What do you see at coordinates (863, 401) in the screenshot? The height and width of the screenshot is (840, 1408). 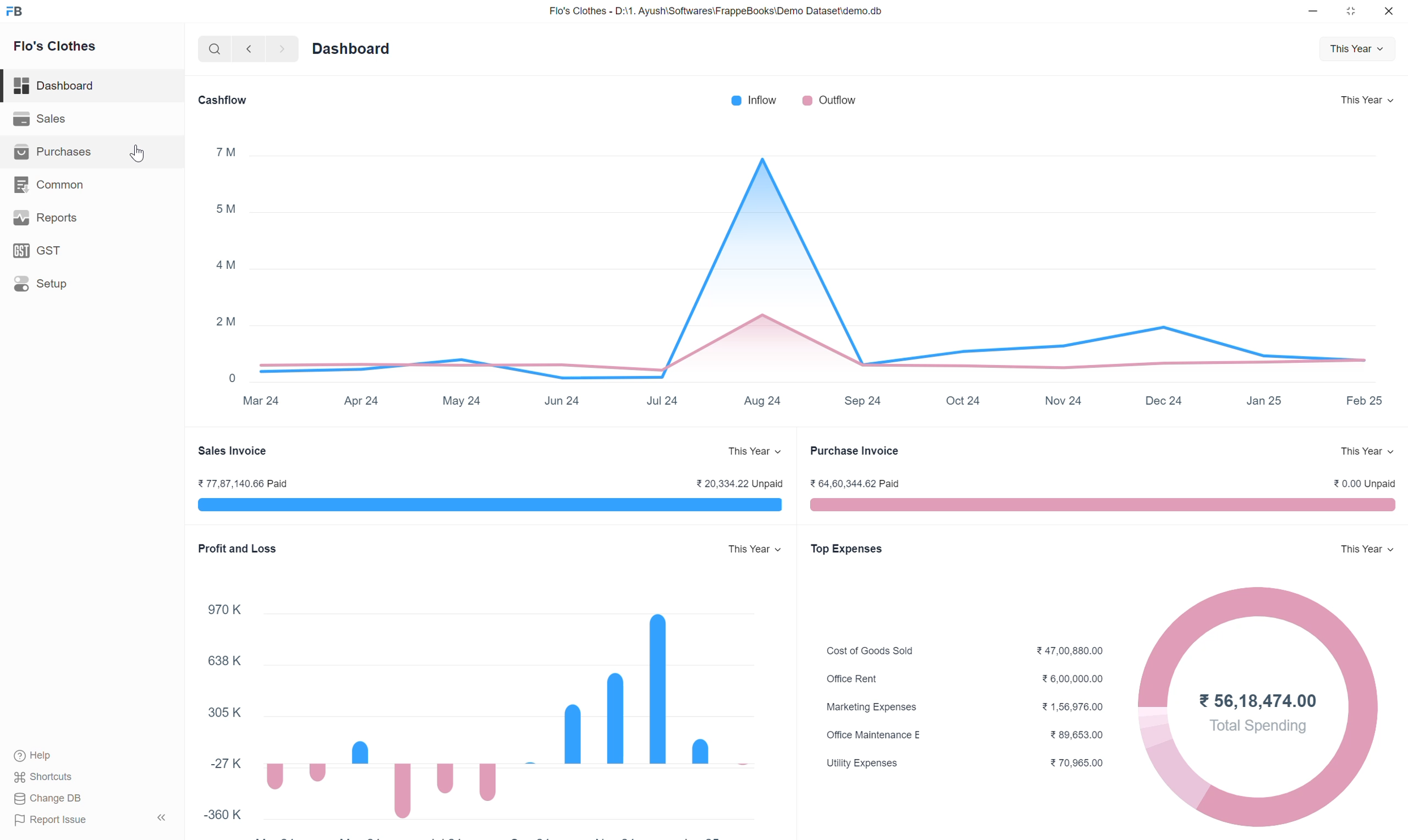 I see `Sep 24` at bounding box center [863, 401].